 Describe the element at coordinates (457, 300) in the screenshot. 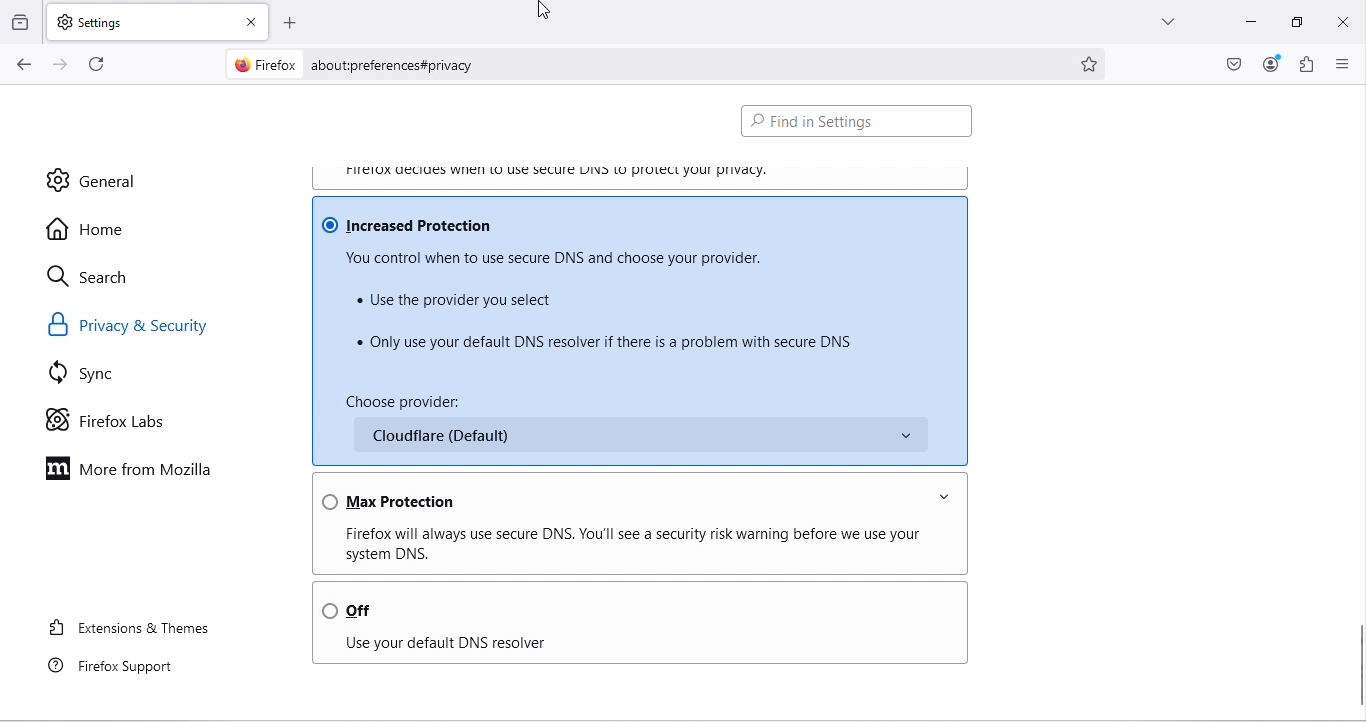

I see `« Use the provider you select` at that location.